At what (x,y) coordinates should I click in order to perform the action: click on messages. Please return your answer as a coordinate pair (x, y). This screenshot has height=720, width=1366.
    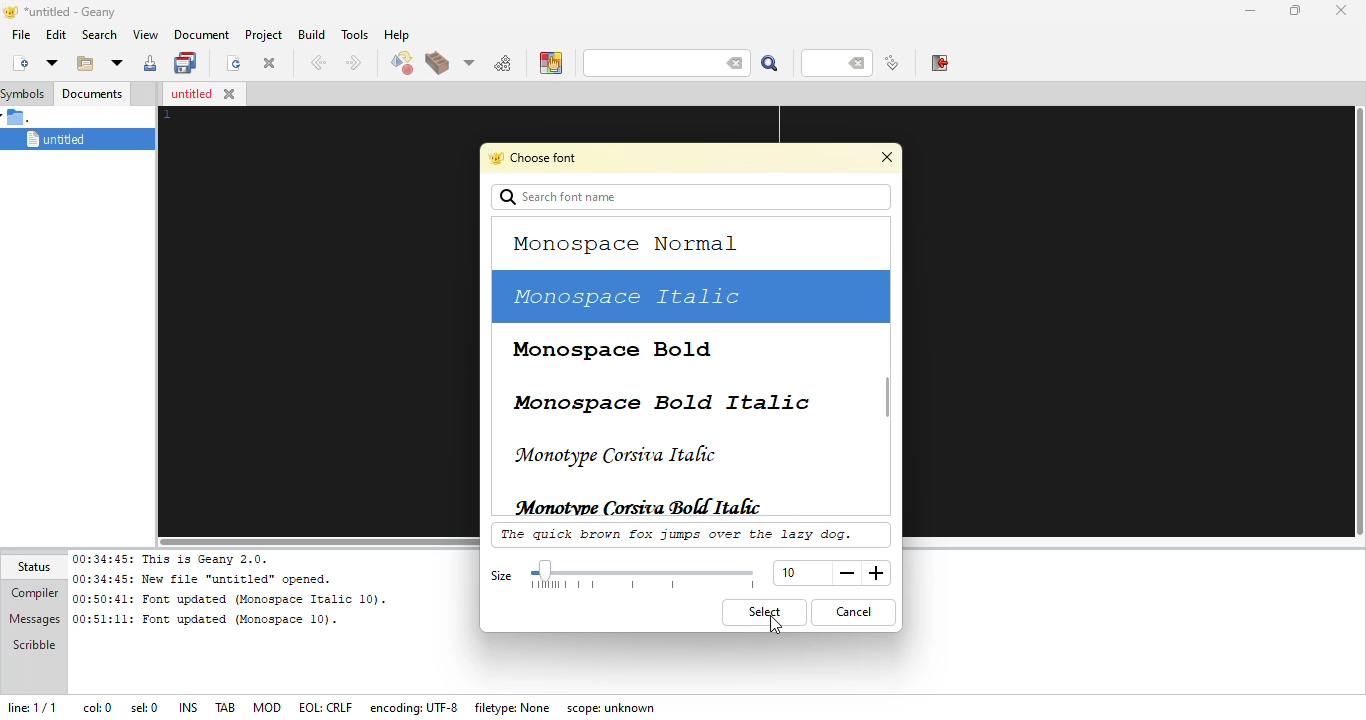
    Looking at the image, I should click on (34, 620).